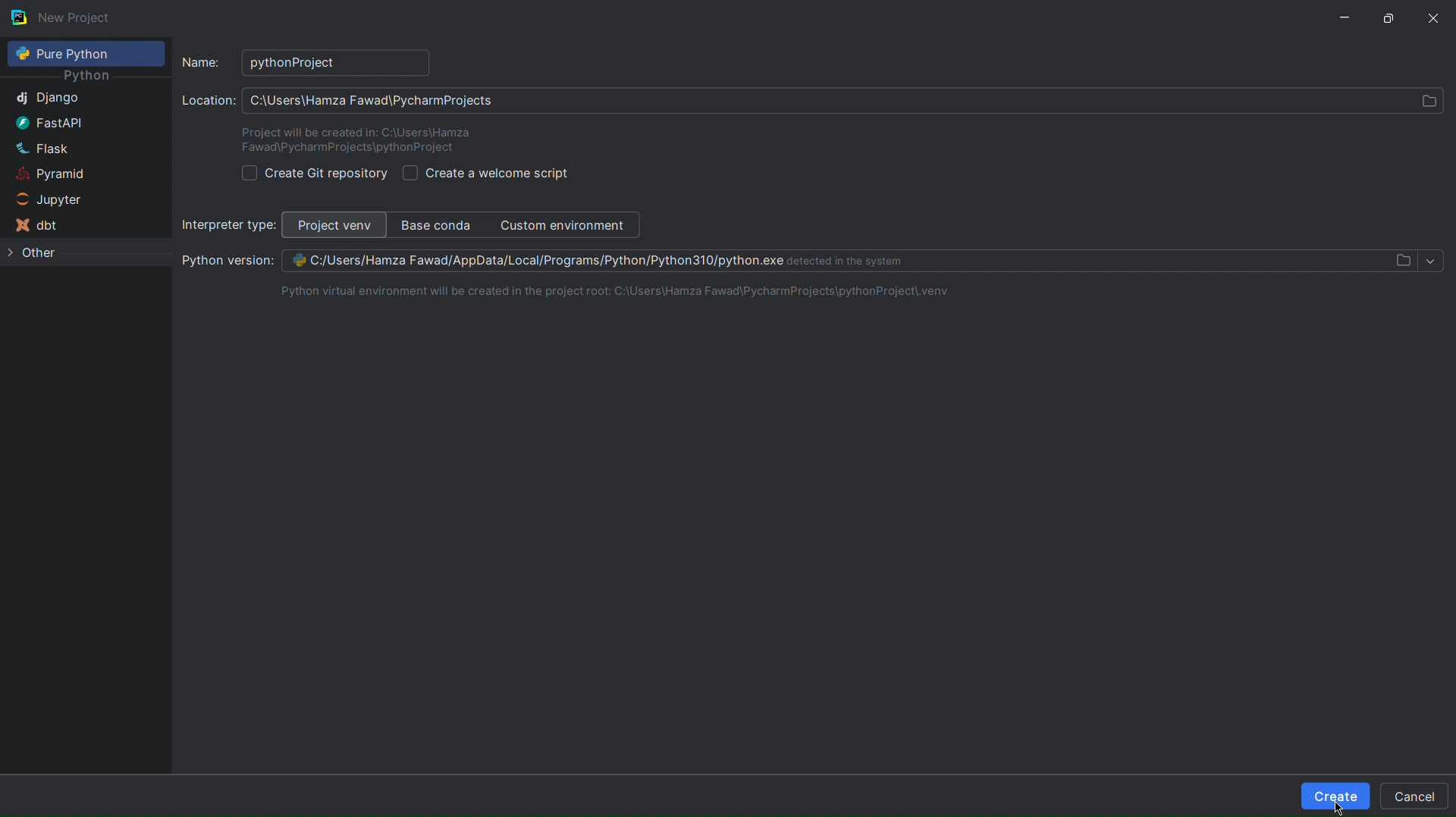 The height and width of the screenshot is (817, 1456). I want to click on Create a welcome script, so click(488, 173).